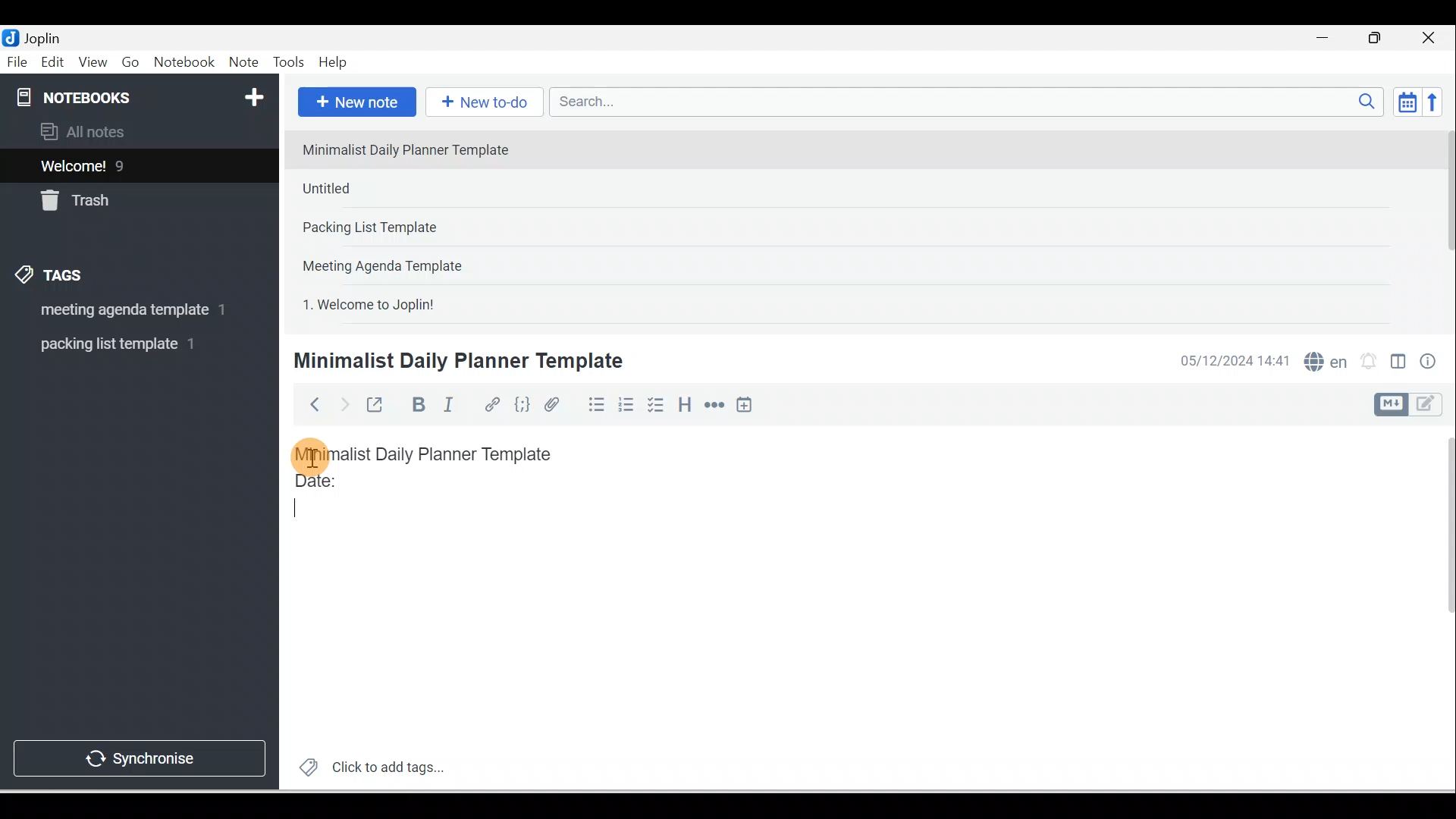  What do you see at coordinates (416, 149) in the screenshot?
I see `Note 1` at bounding box center [416, 149].